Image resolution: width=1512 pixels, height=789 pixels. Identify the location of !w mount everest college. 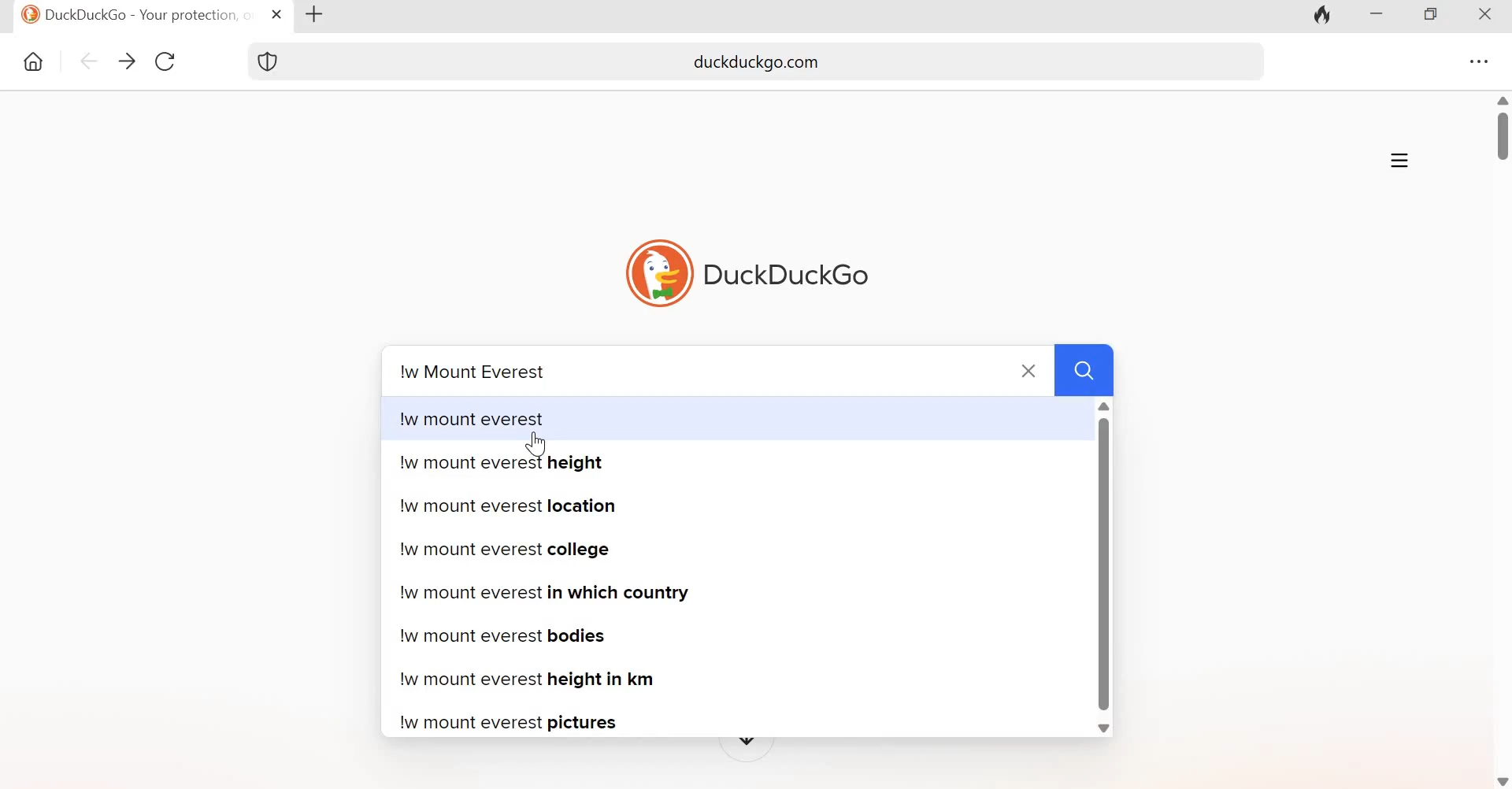
(507, 549).